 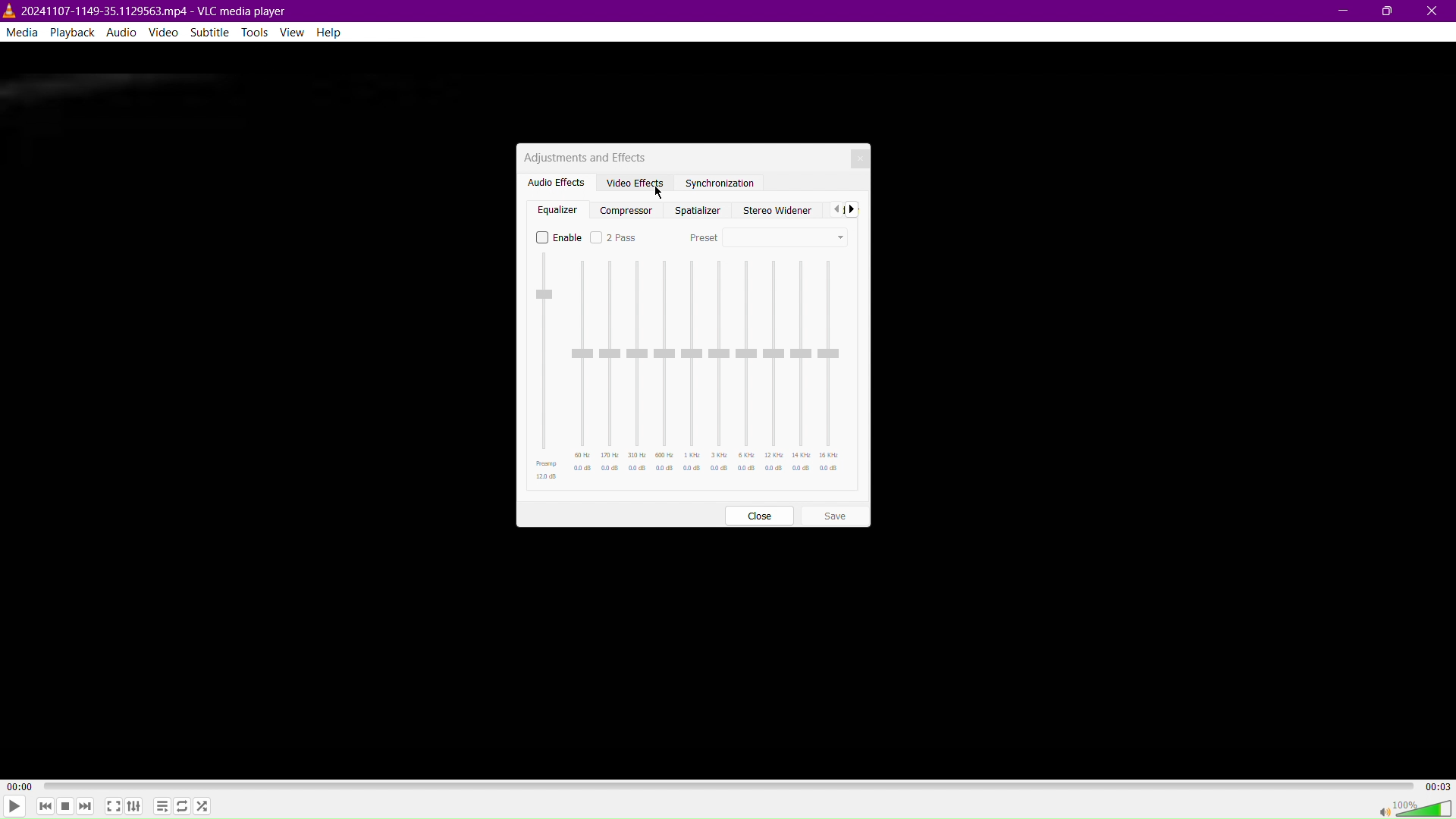 I want to click on Play, so click(x=14, y=806).